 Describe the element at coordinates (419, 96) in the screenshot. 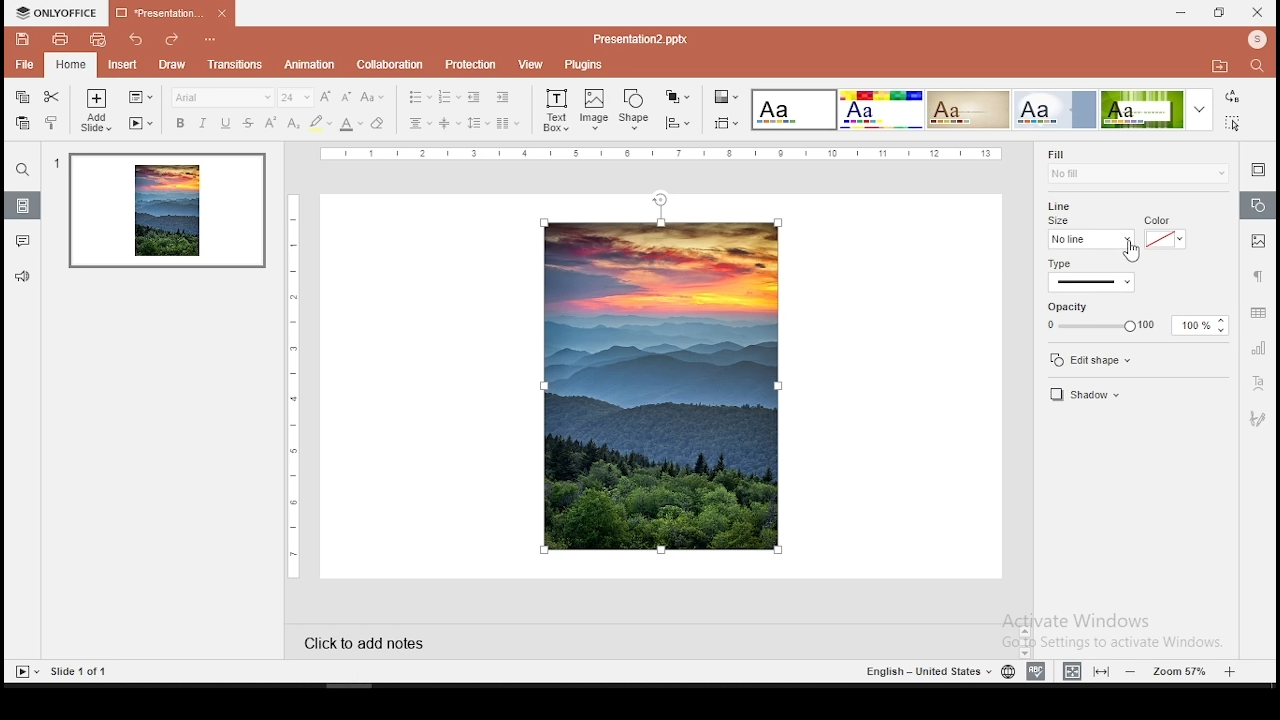

I see `bullets` at that location.